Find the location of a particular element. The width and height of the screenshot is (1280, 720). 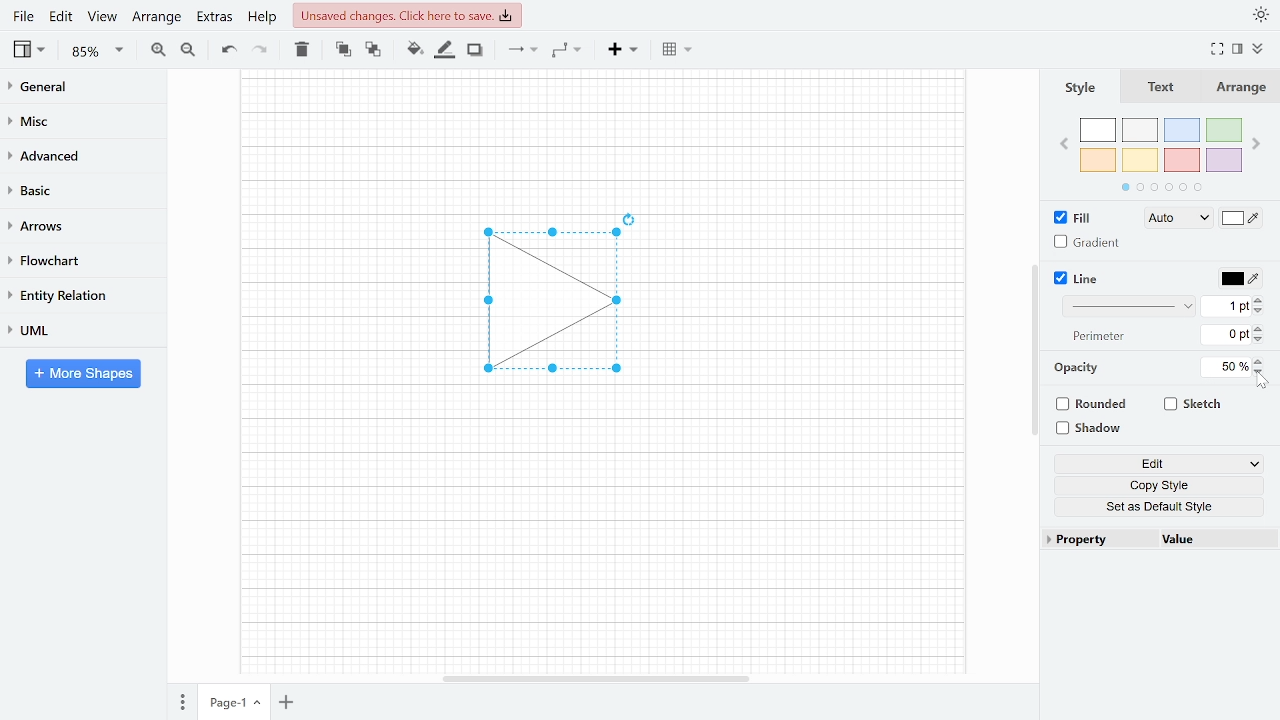

Perimeter is located at coordinates (1095, 337).